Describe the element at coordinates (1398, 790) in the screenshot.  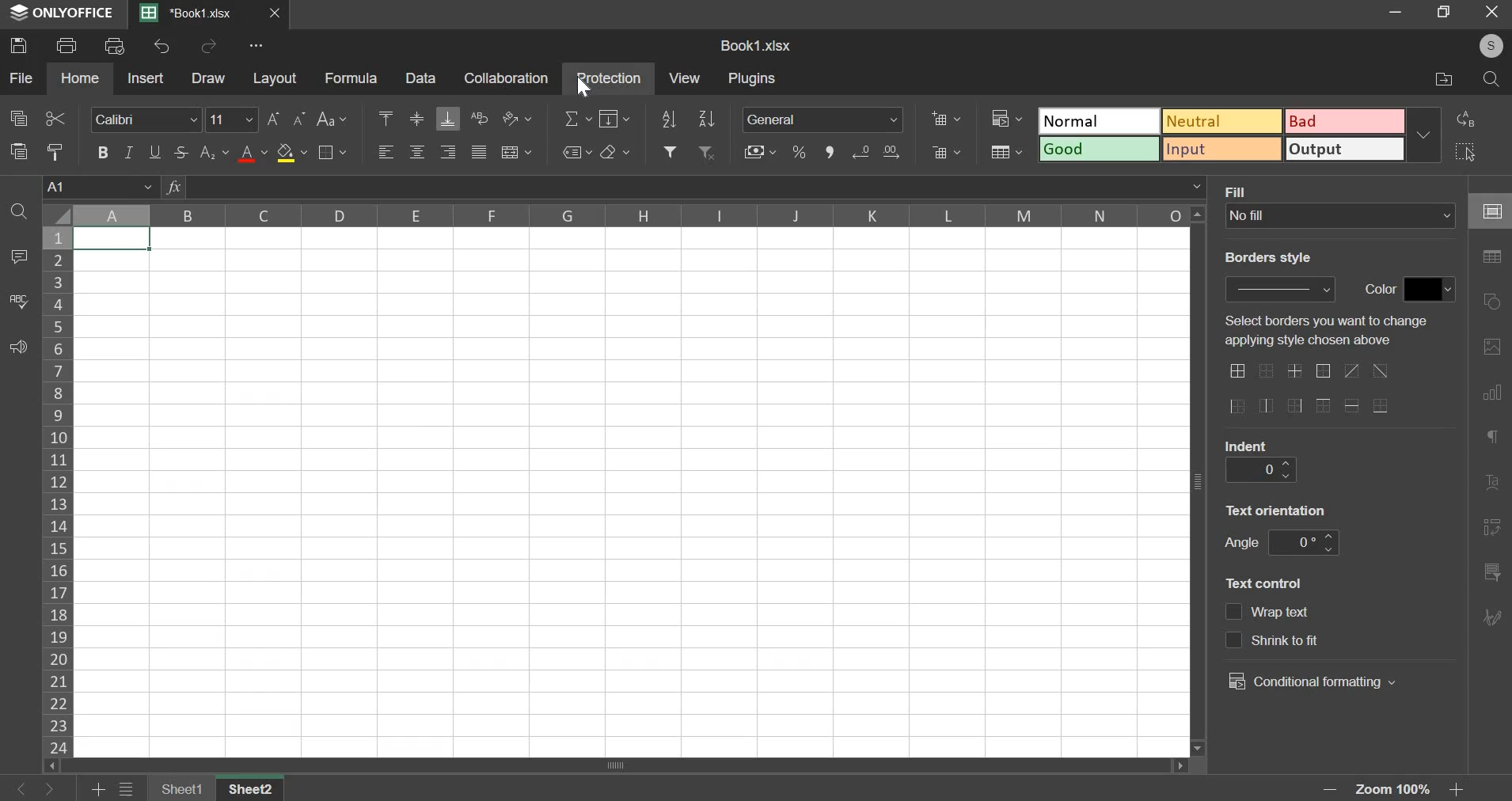
I see `Zoom 100%` at that location.